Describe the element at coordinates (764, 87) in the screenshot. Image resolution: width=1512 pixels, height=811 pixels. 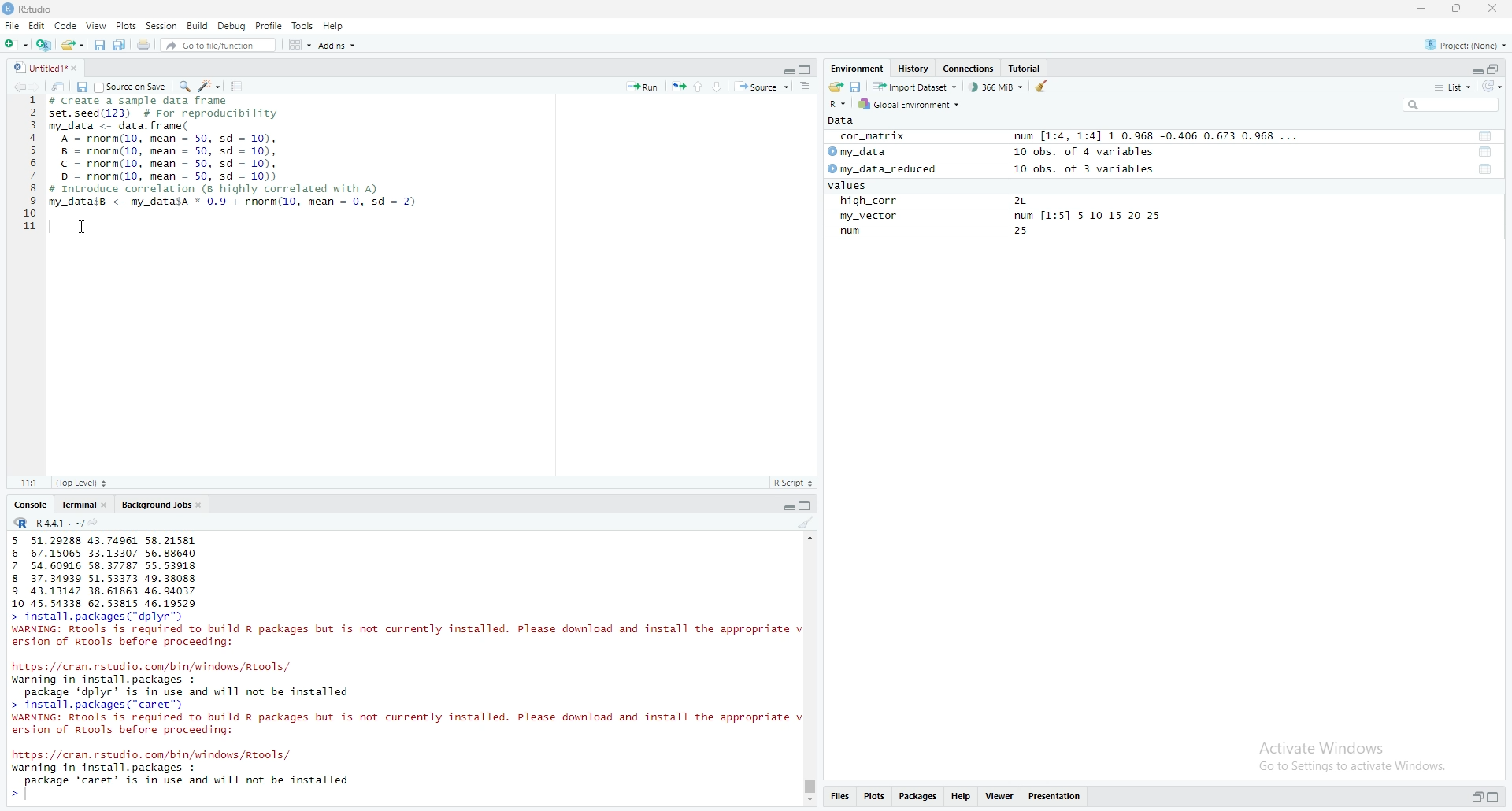
I see `Source` at that location.